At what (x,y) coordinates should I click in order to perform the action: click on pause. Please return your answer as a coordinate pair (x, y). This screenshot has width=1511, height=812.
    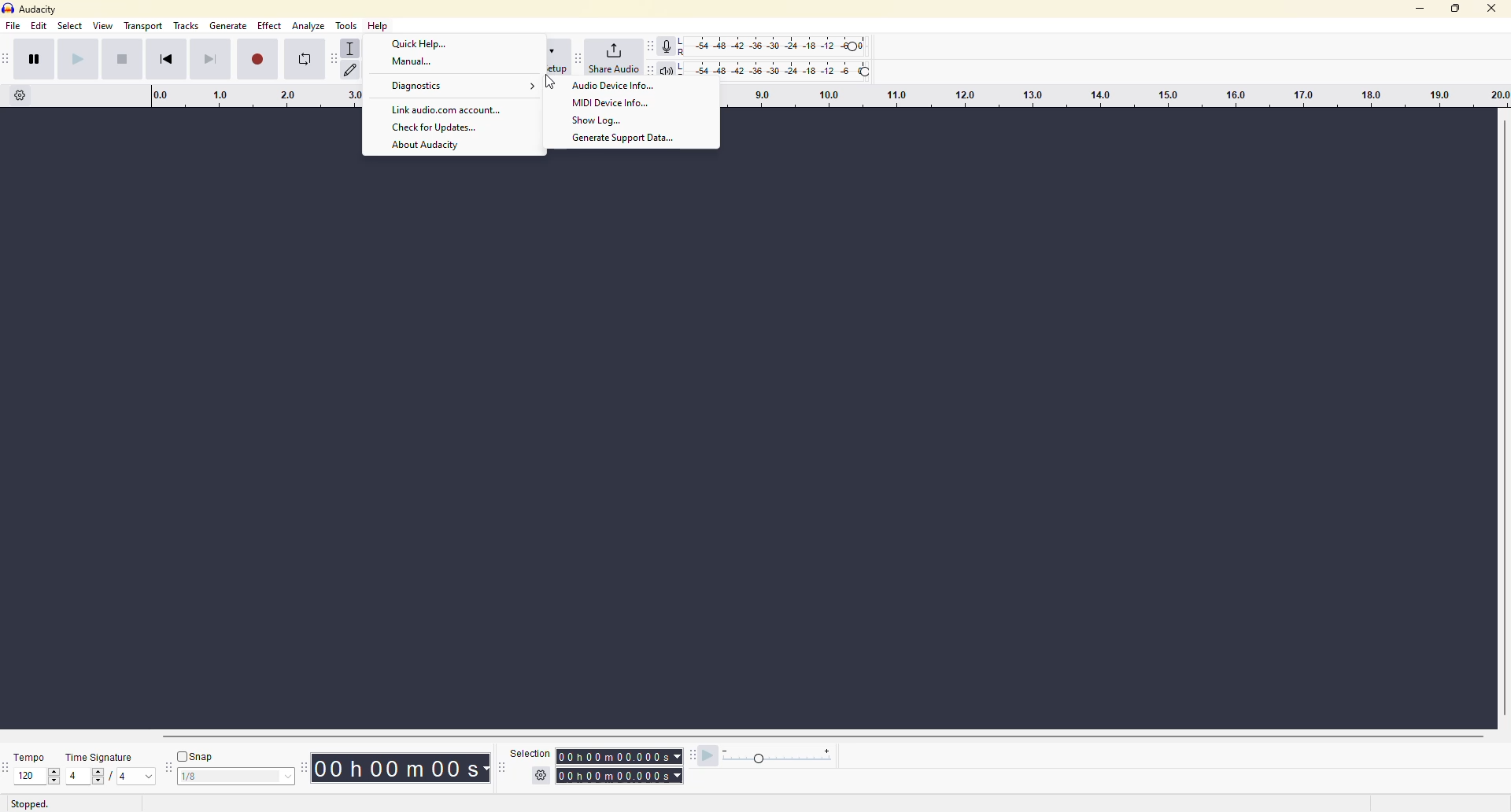
    Looking at the image, I should click on (36, 61).